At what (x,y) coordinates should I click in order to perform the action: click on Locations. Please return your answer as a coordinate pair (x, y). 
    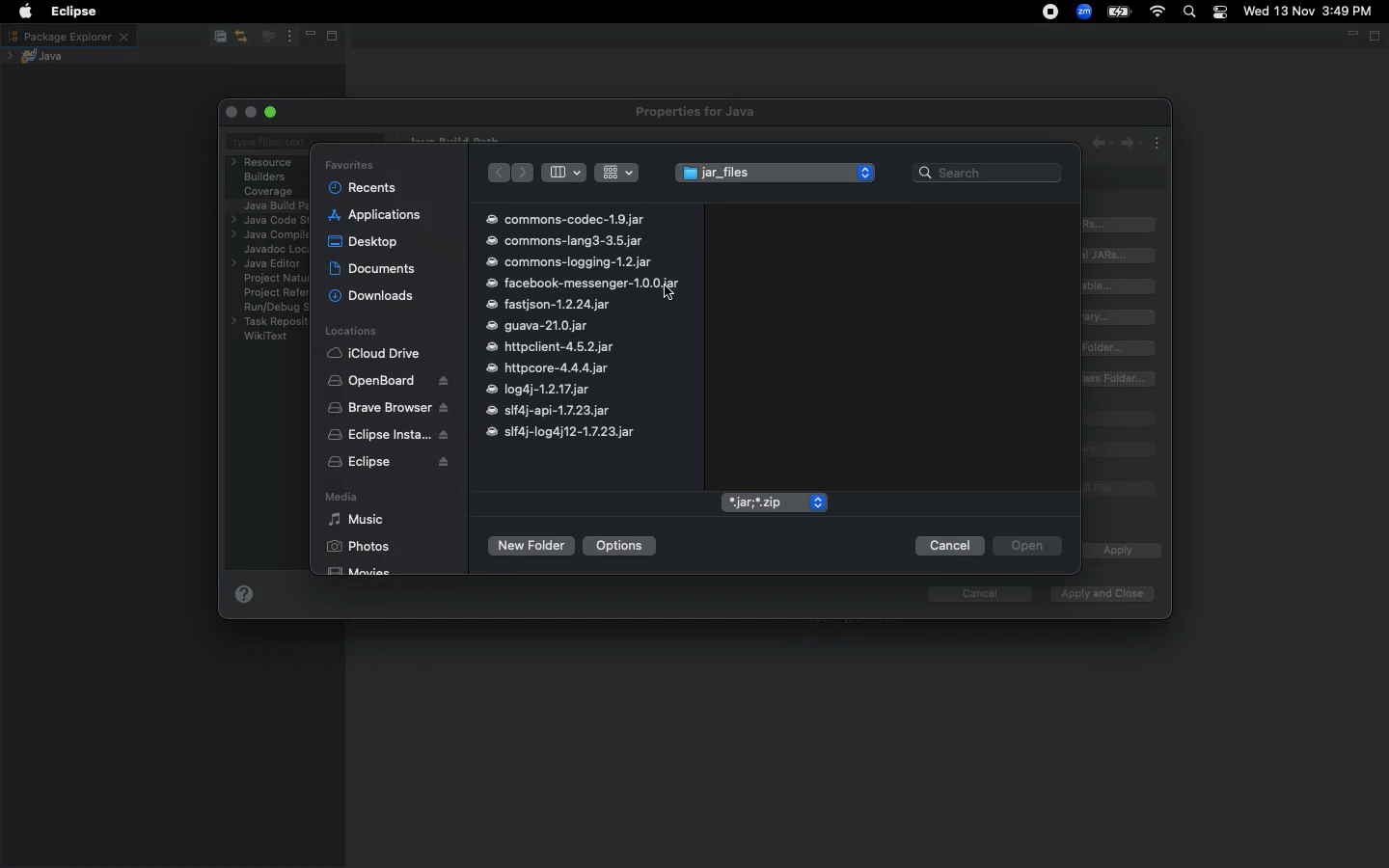
    Looking at the image, I should click on (350, 332).